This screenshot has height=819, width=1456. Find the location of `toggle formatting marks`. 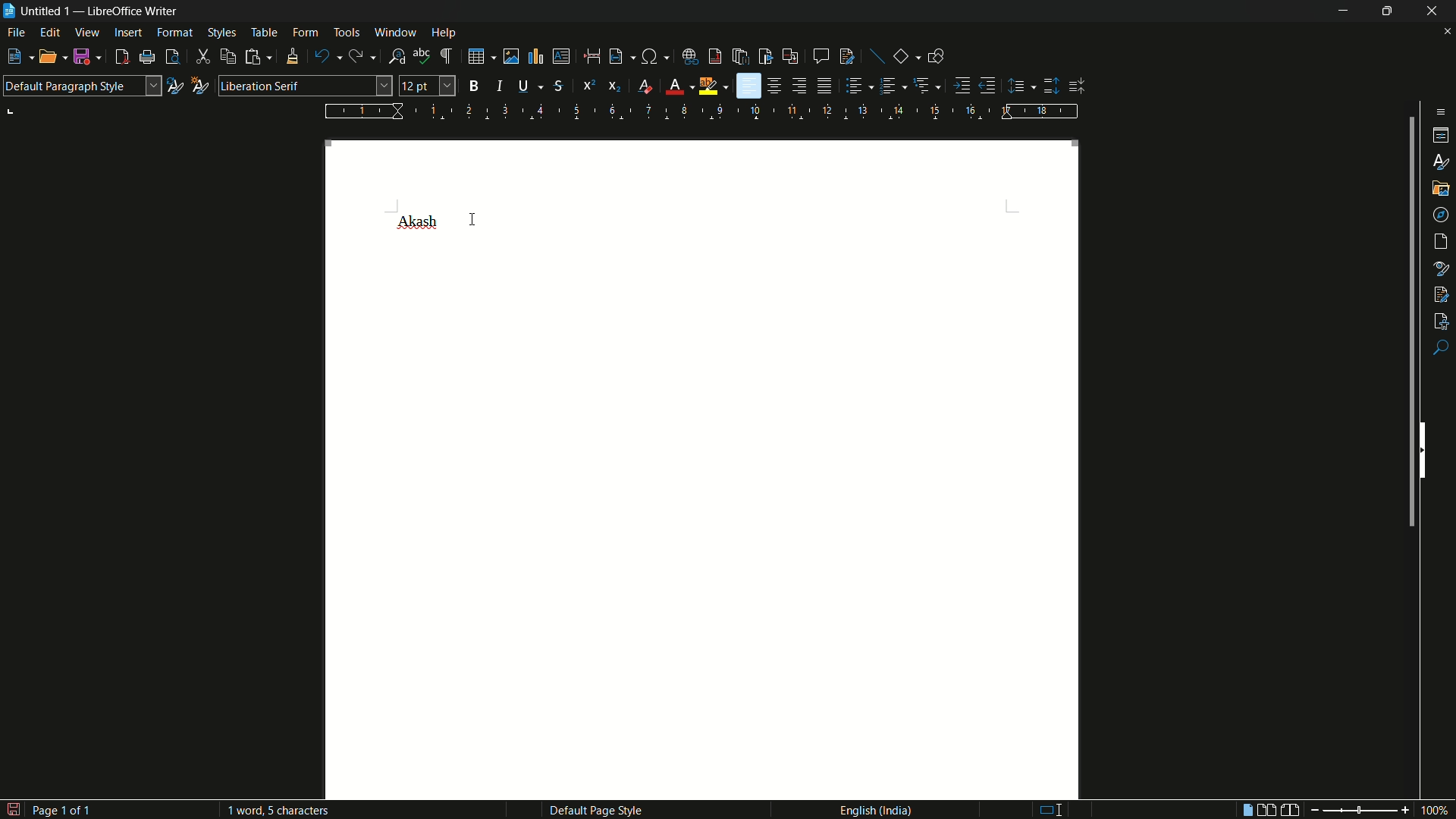

toggle formatting marks is located at coordinates (447, 57).